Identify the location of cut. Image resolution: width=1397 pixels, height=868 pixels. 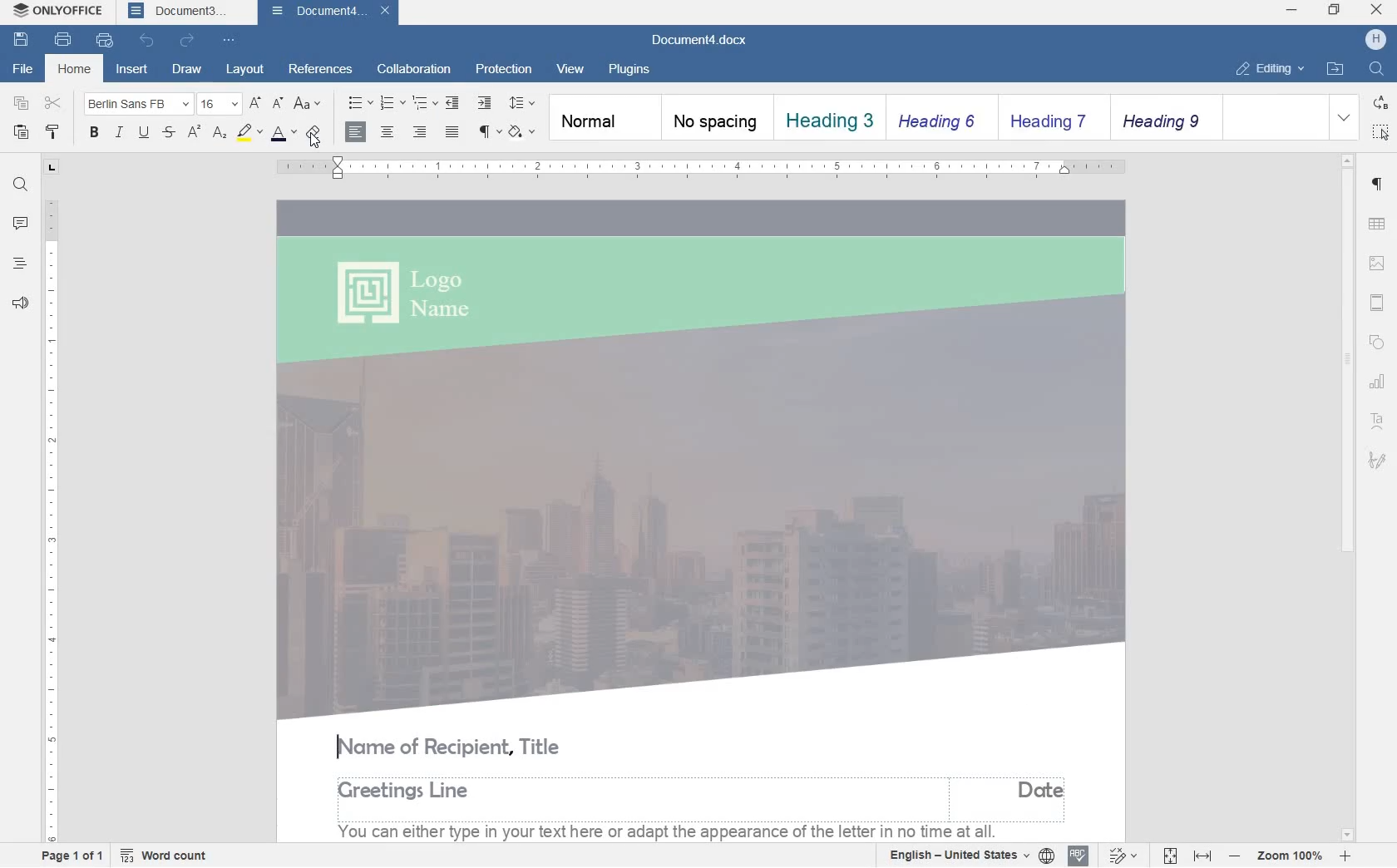
(55, 104).